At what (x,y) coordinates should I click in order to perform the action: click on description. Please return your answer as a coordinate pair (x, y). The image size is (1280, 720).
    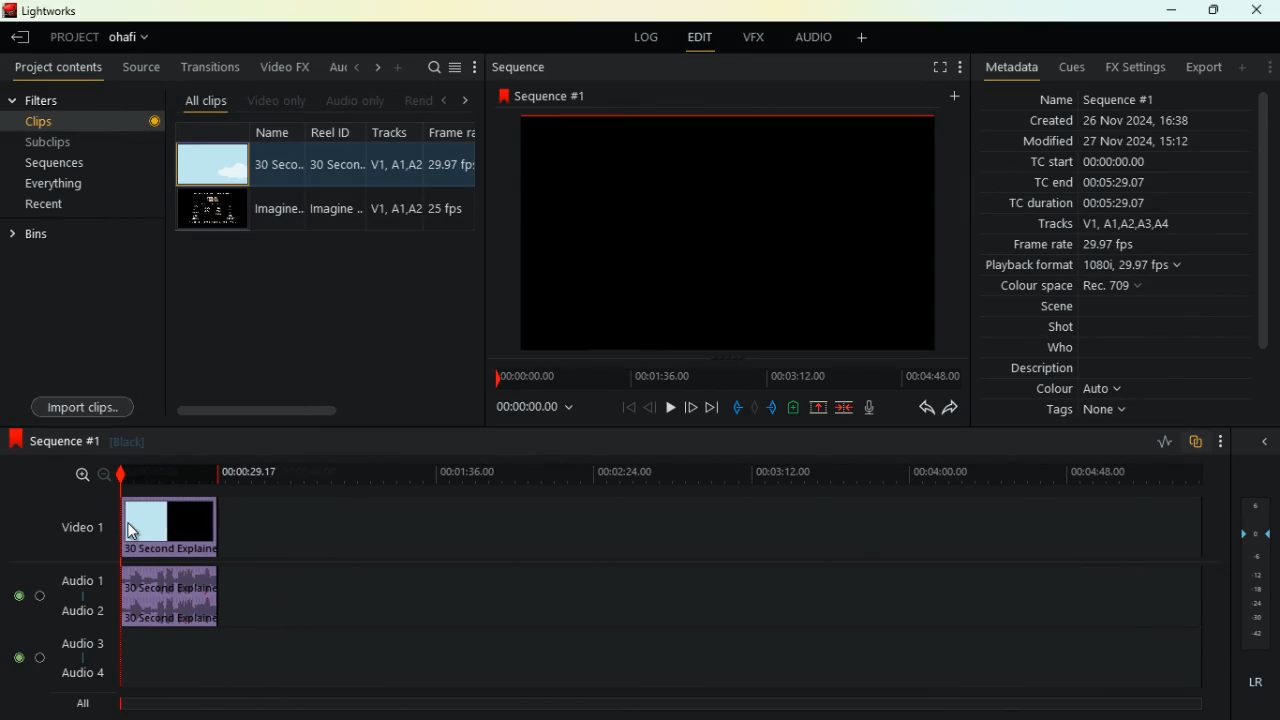
    Looking at the image, I should click on (1032, 368).